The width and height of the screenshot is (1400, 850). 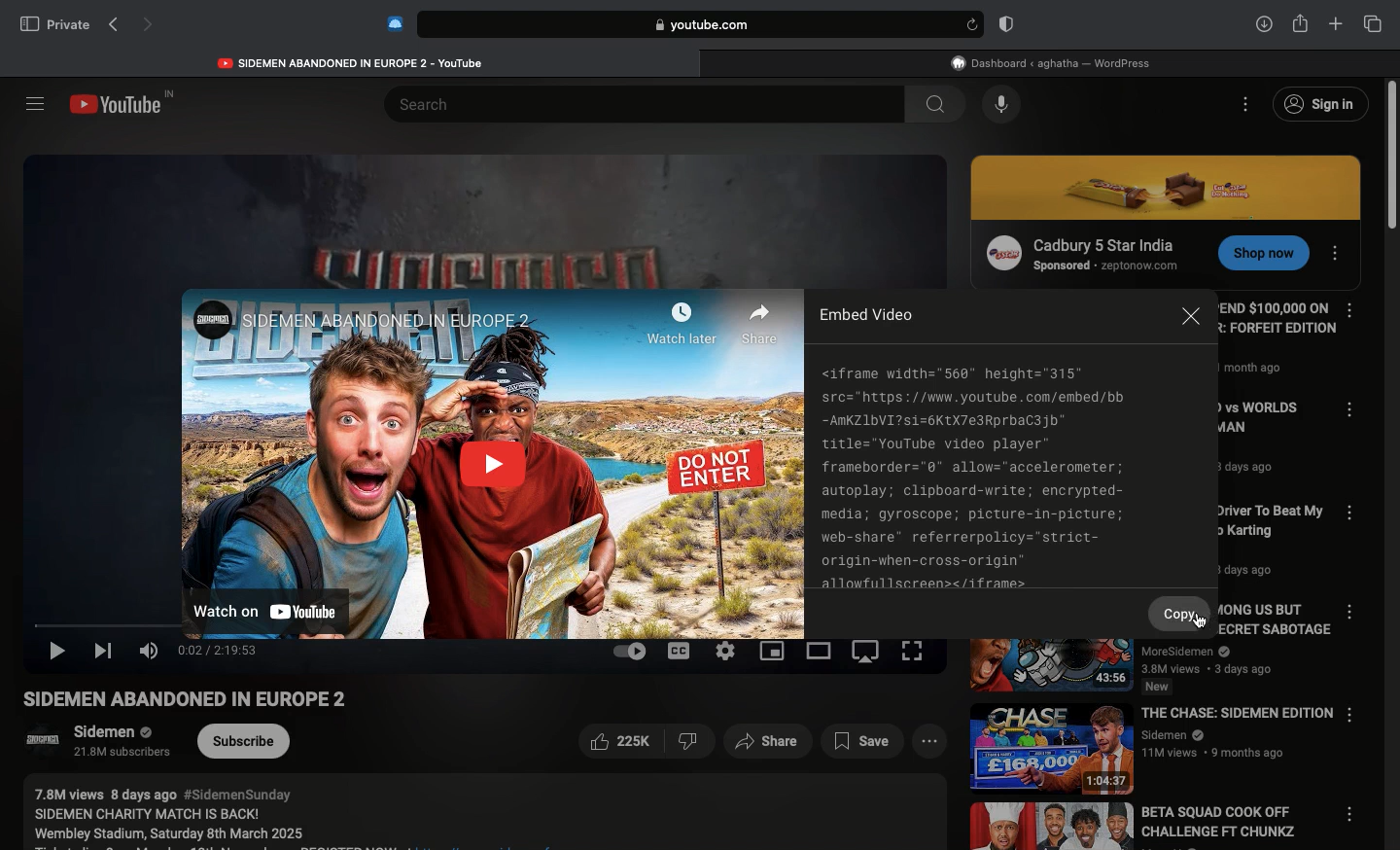 I want to click on Extensions, so click(x=393, y=23).